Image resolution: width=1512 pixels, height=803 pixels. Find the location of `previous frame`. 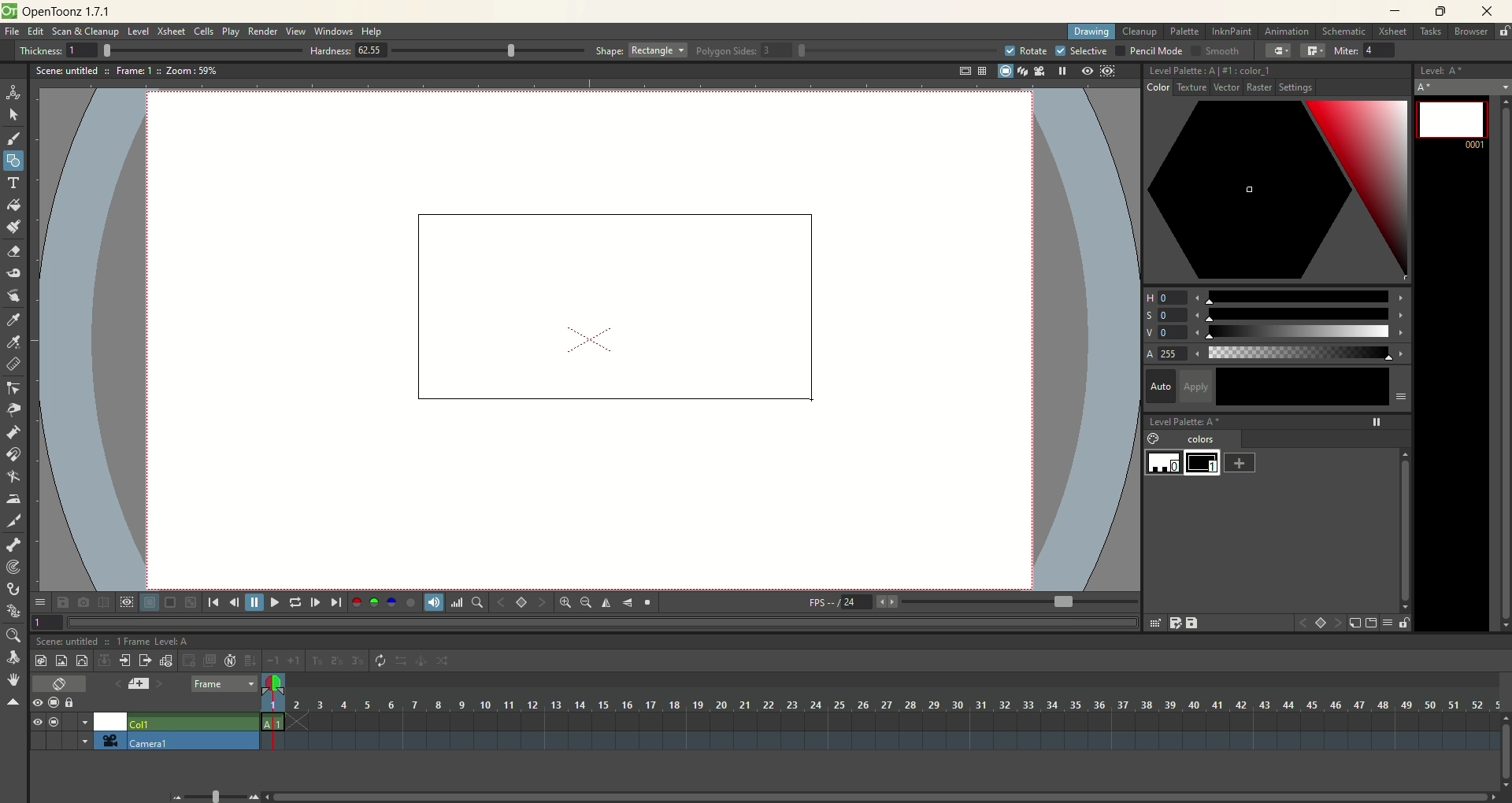

previous frame is located at coordinates (232, 602).